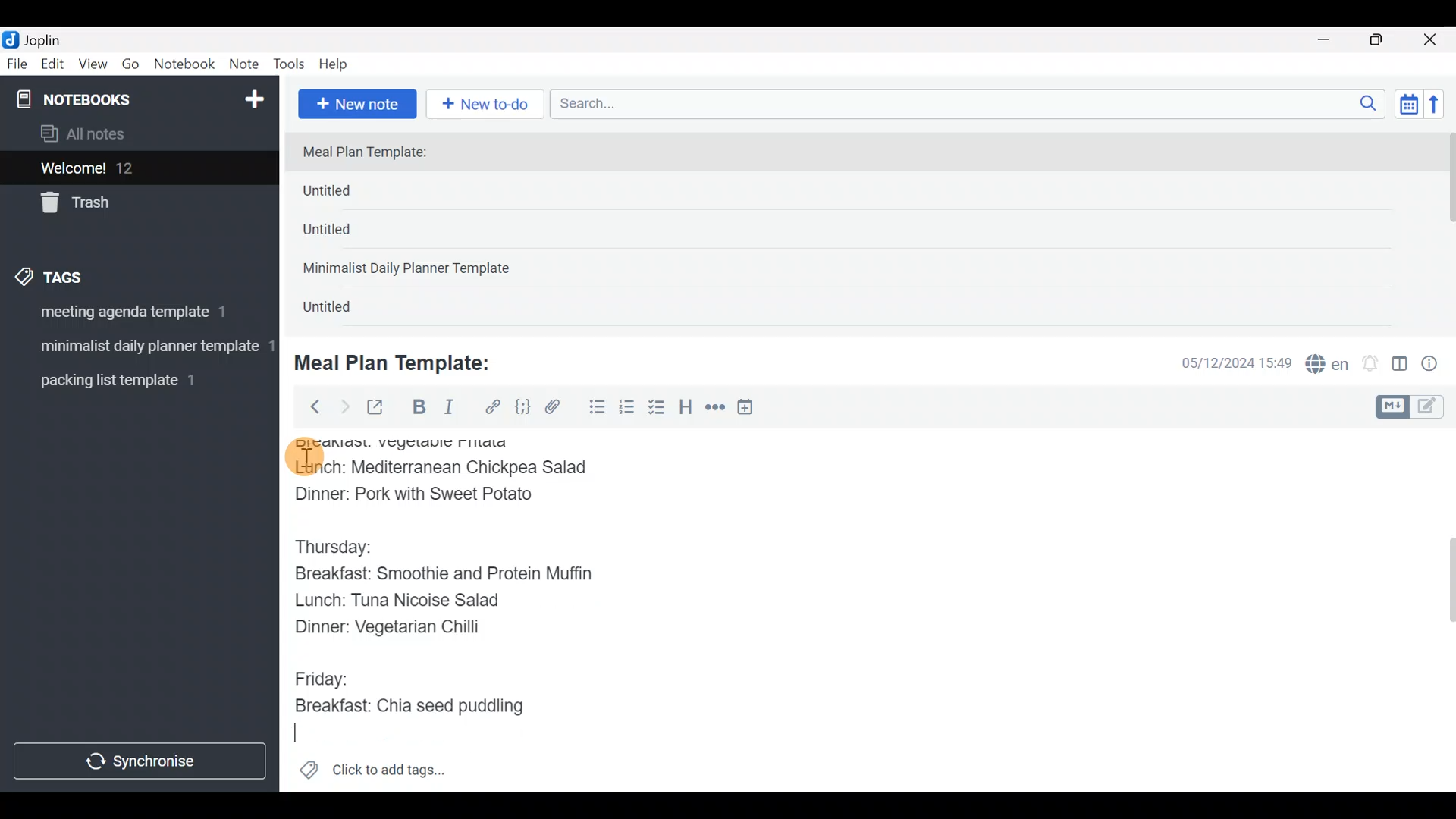 This screenshot has height=819, width=1456. Describe the element at coordinates (715, 409) in the screenshot. I see `Horizontal rule` at that location.